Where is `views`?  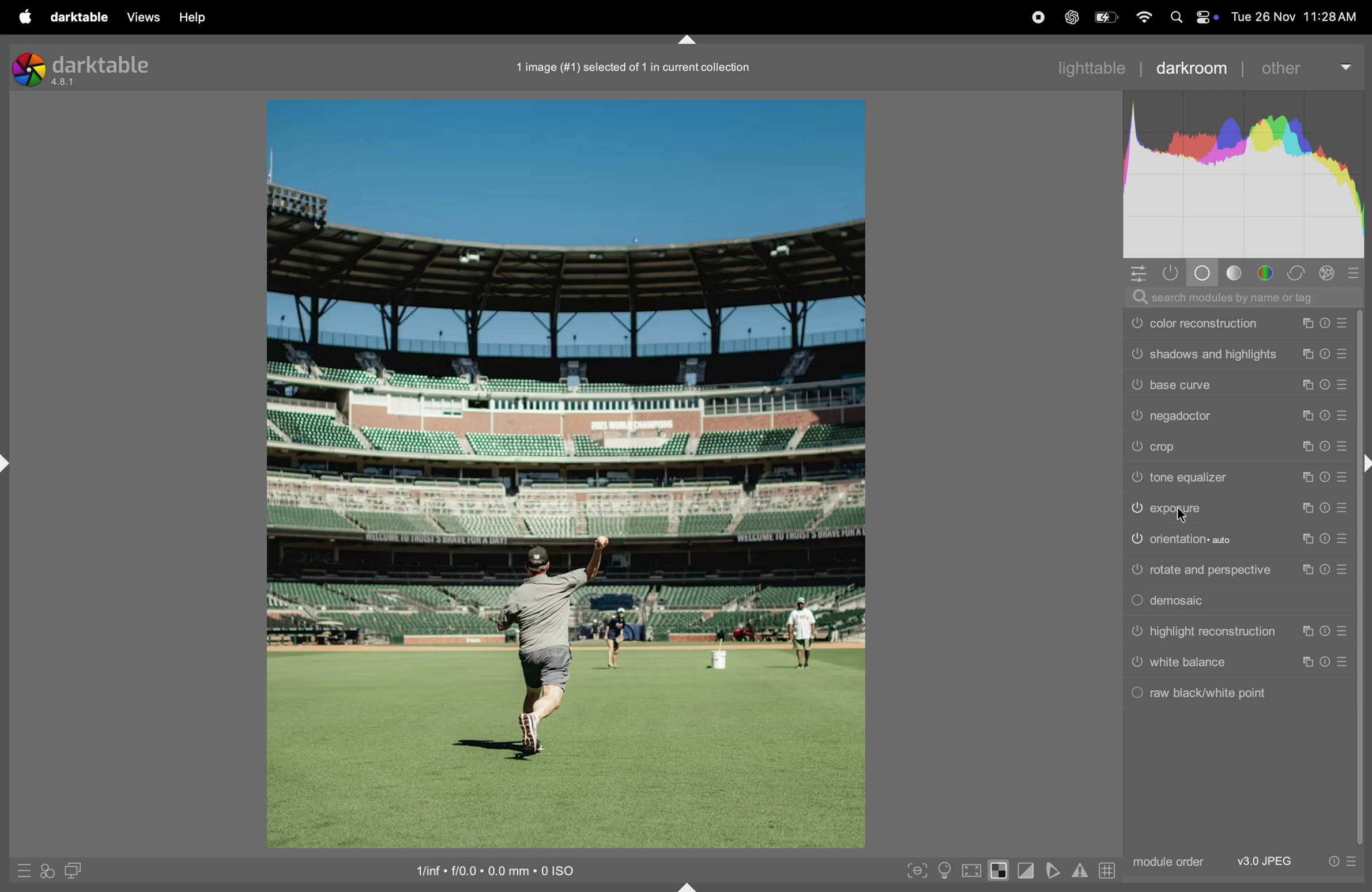
views is located at coordinates (140, 17).